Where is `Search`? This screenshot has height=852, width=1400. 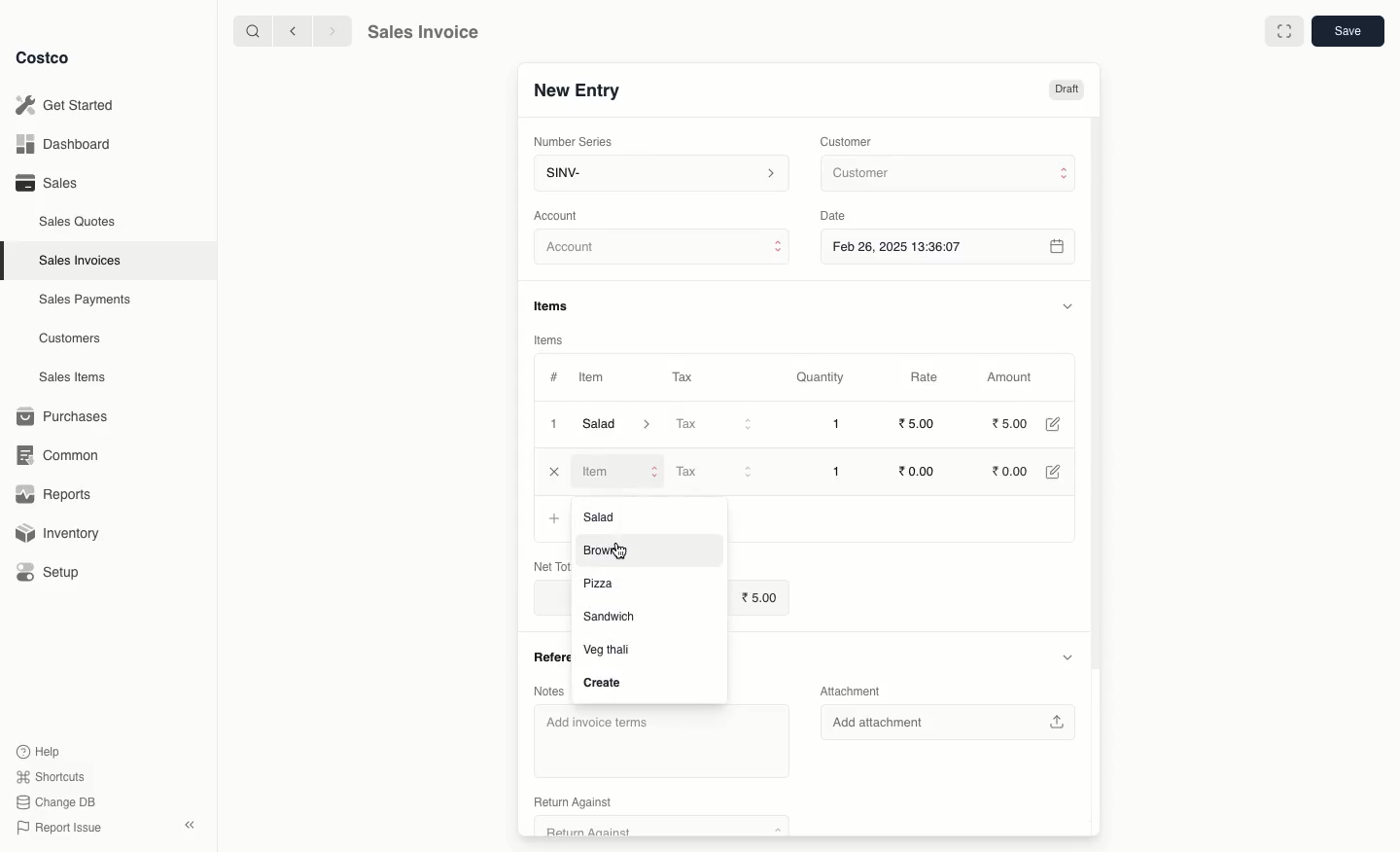 Search is located at coordinates (250, 30).